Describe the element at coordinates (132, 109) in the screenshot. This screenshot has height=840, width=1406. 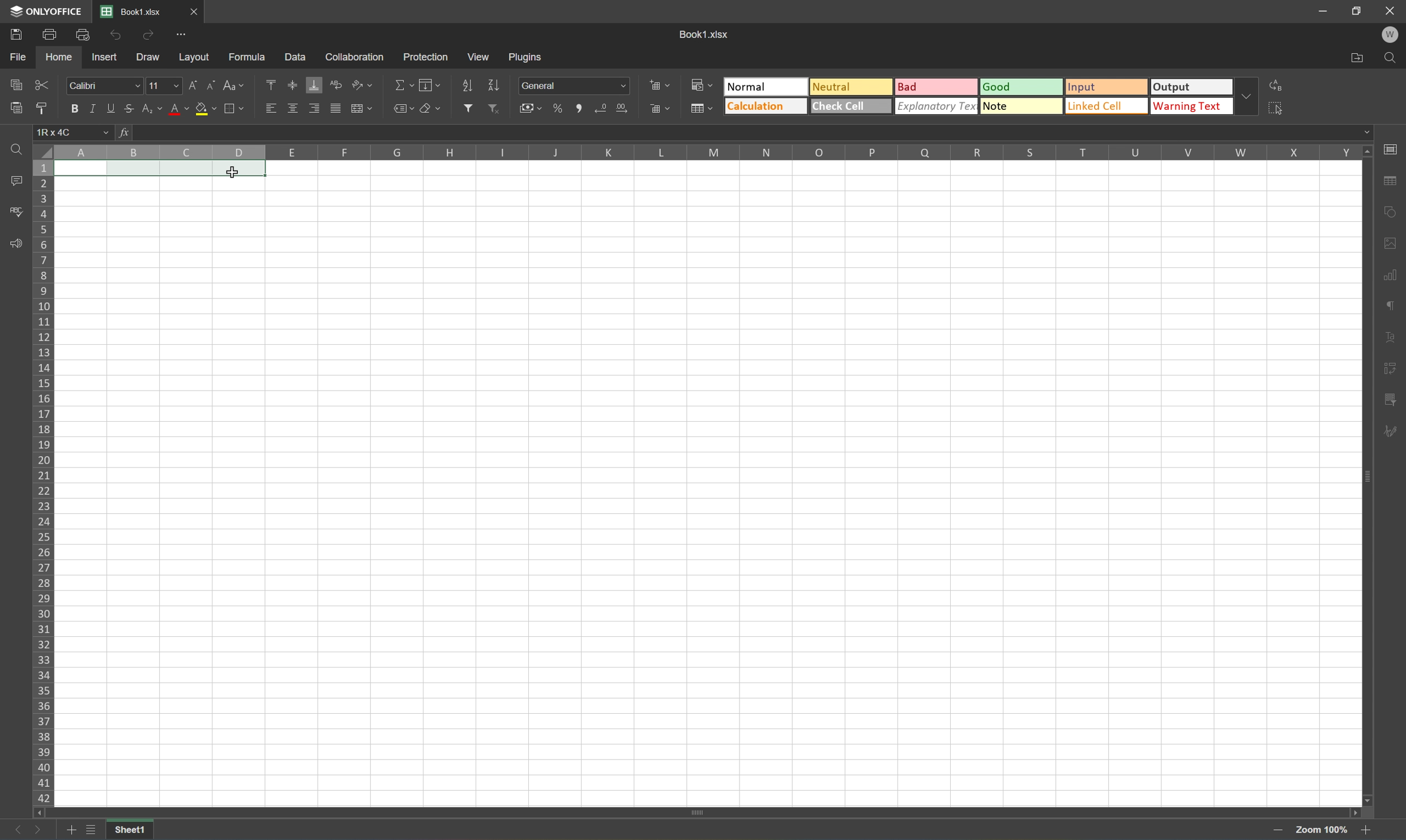
I see `Strikethrough` at that location.